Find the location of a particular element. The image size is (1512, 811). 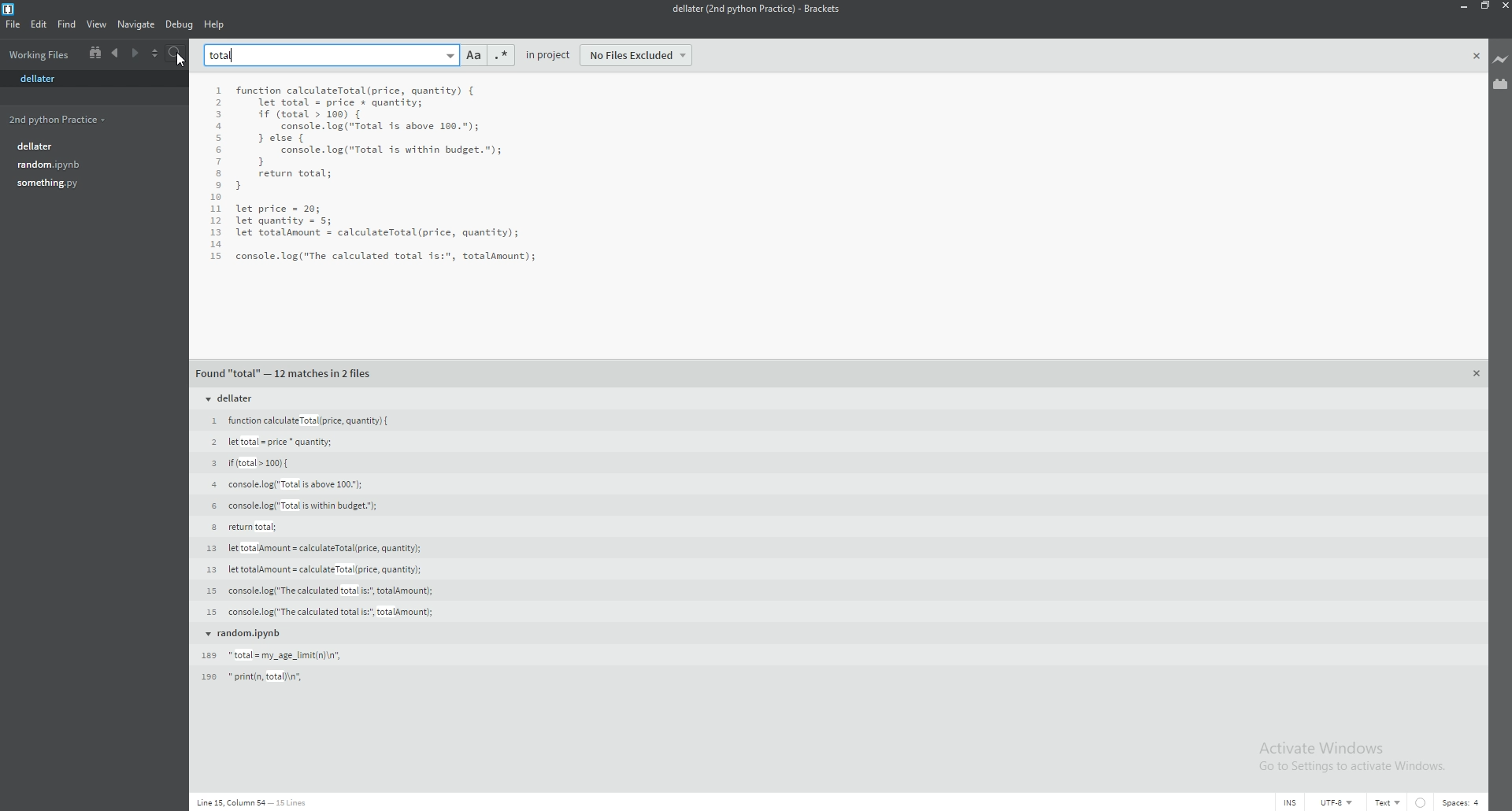

3 is located at coordinates (217, 115).